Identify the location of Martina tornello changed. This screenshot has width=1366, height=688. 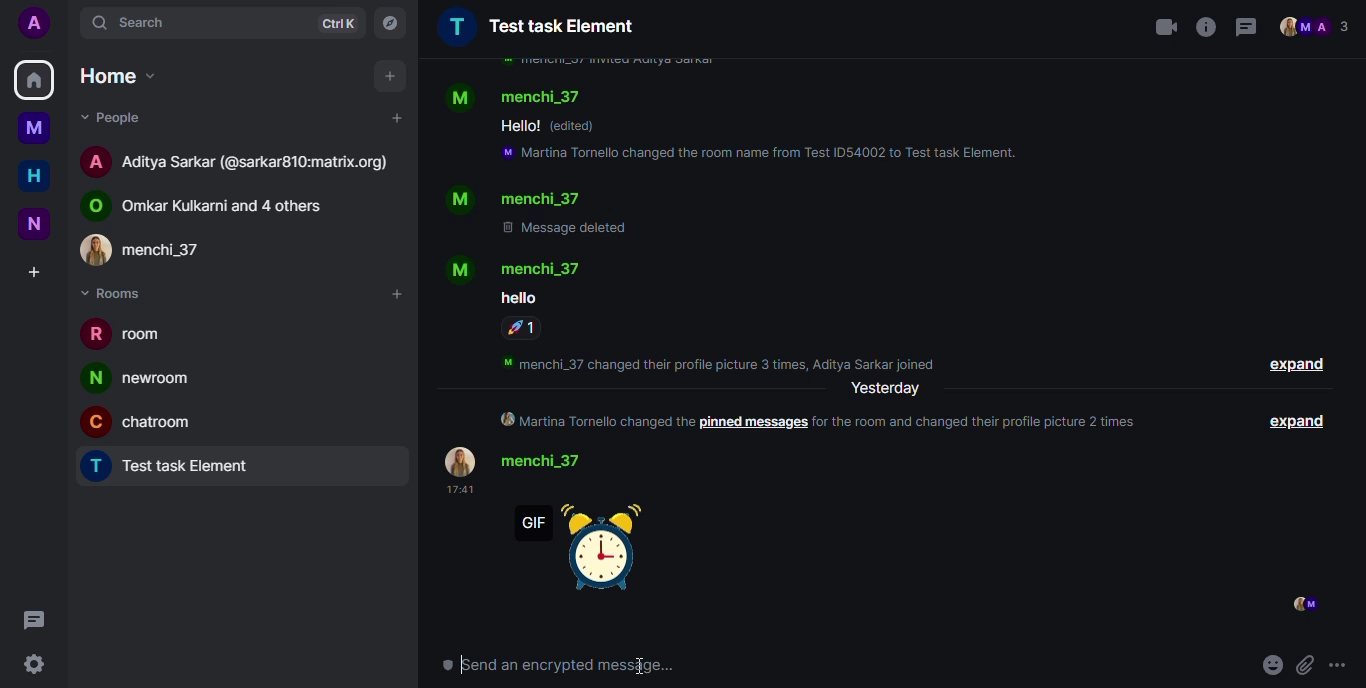
(593, 421).